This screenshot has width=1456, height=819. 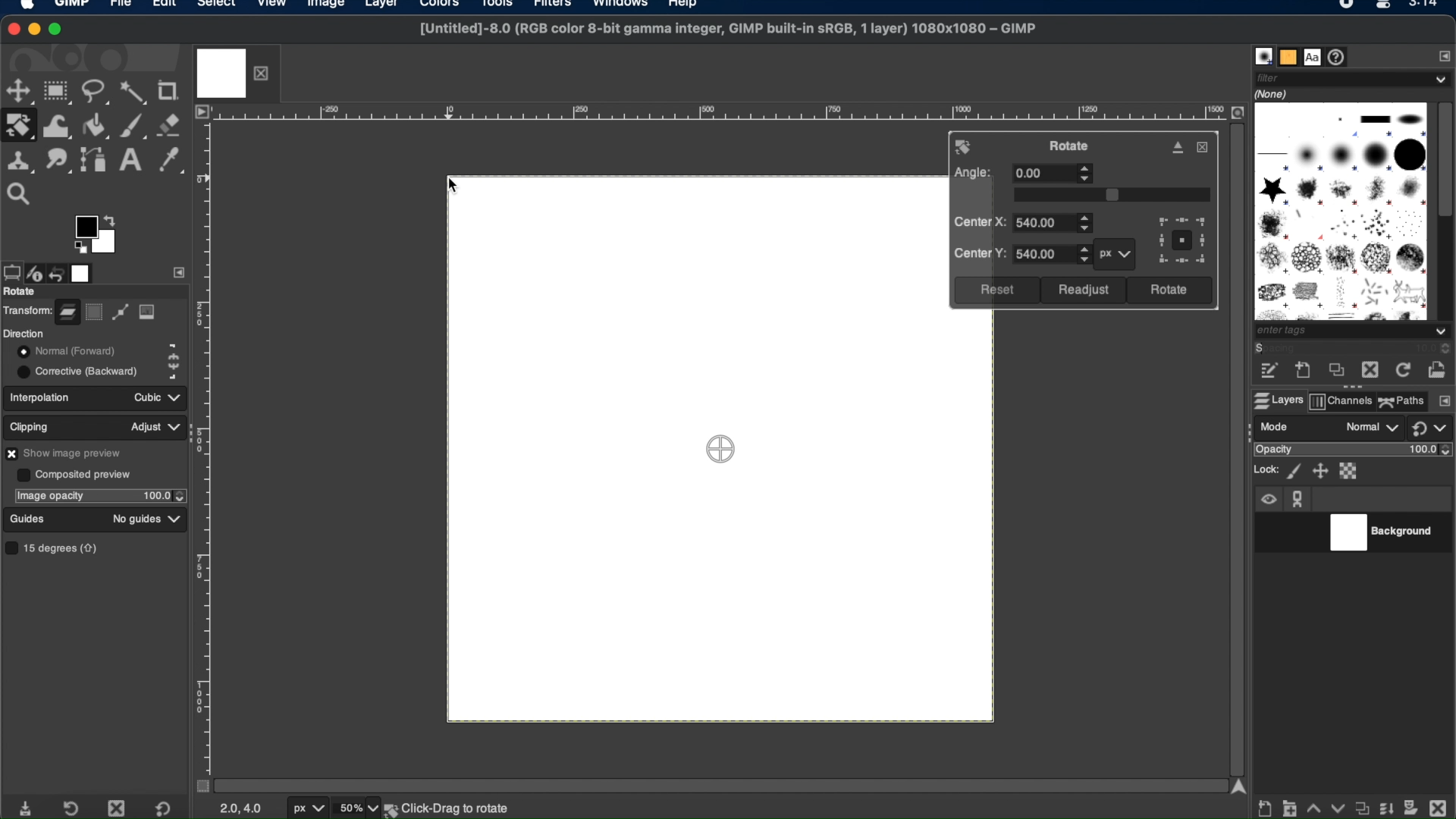 What do you see at coordinates (74, 474) in the screenshot?
I see `composited preview` at bounding box center [74, 474].